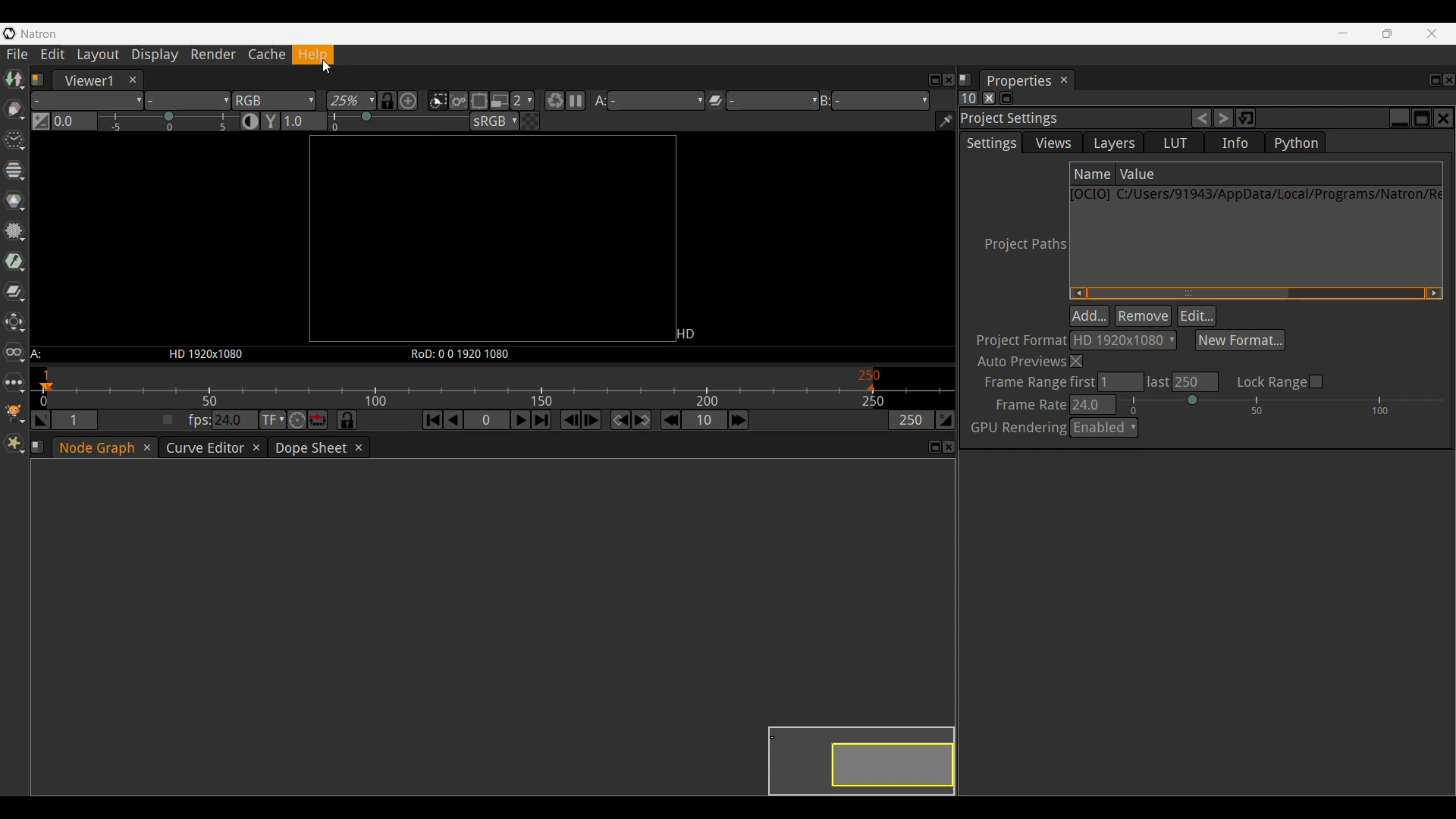  I want to click on Python settings, so click(1295, 143).